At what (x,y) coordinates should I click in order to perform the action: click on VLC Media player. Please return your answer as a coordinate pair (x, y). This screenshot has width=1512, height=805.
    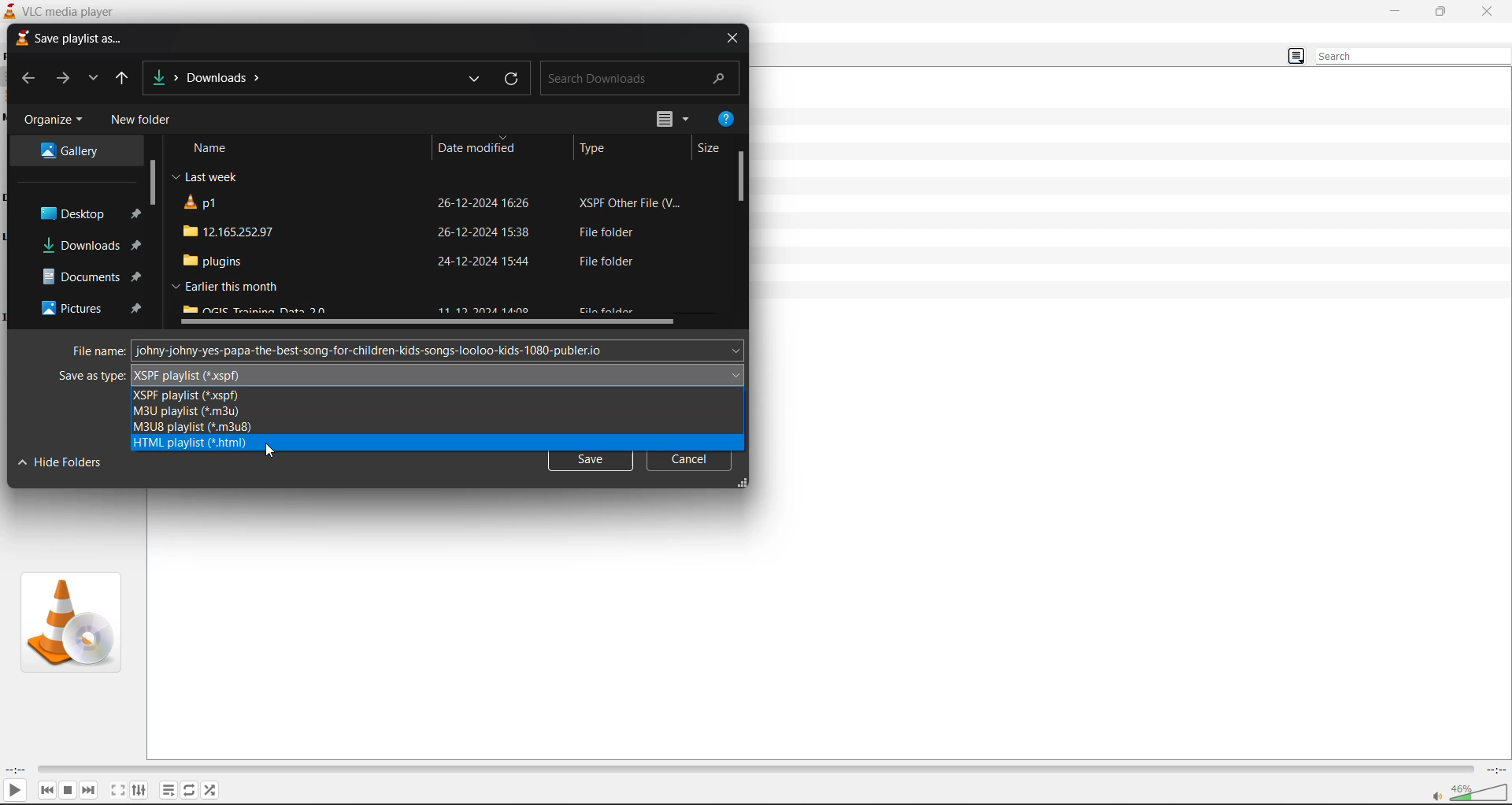
    Looking at the image, I should click on (57, 10).